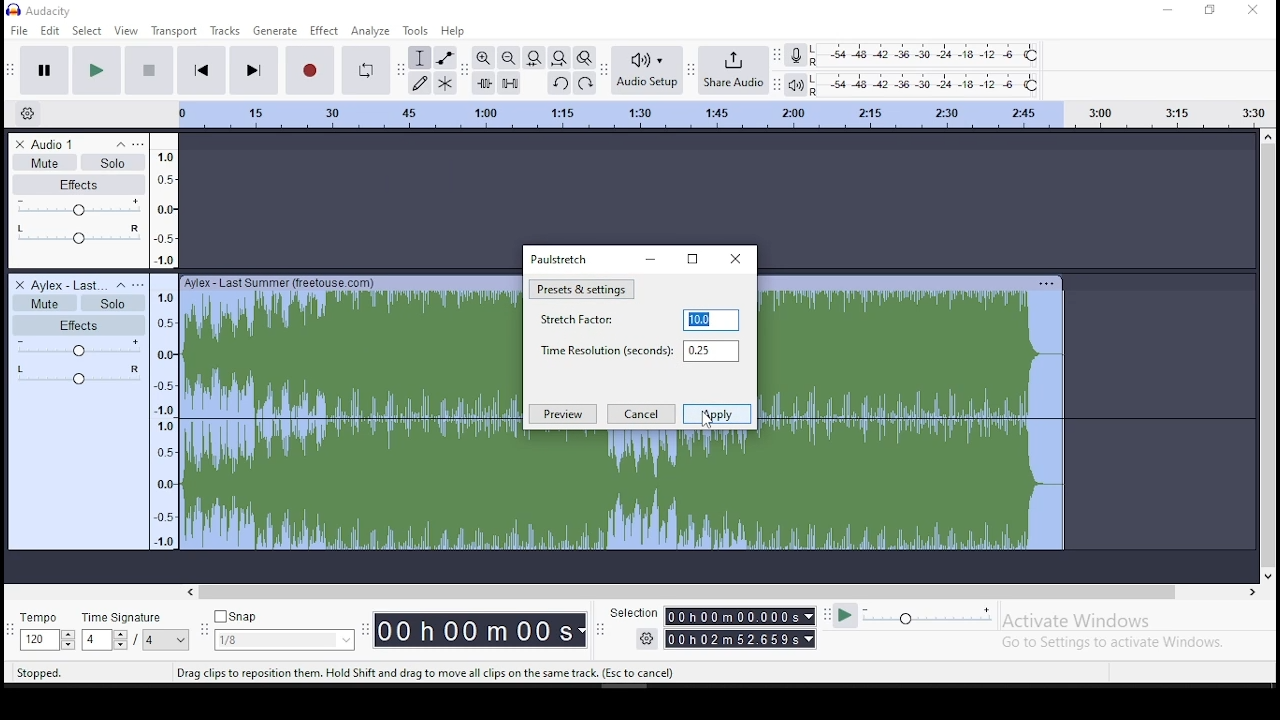 This screenshot has height=720, width=1280. Describe the element at coordinates (126, 32) in the screenshot. I see `view` at that location.